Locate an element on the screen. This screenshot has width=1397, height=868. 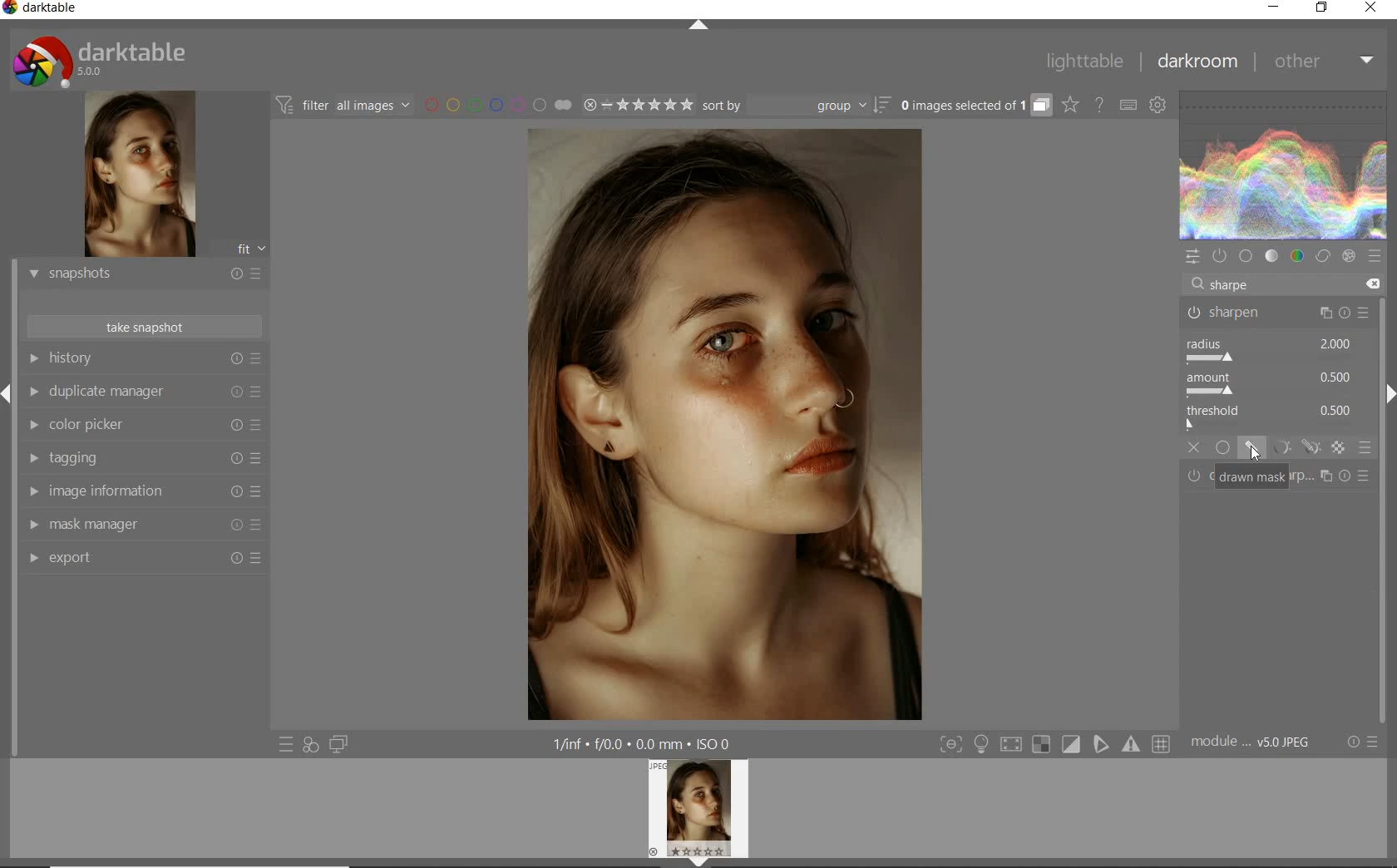
show only active modules is located at coordinates (1222, 256).